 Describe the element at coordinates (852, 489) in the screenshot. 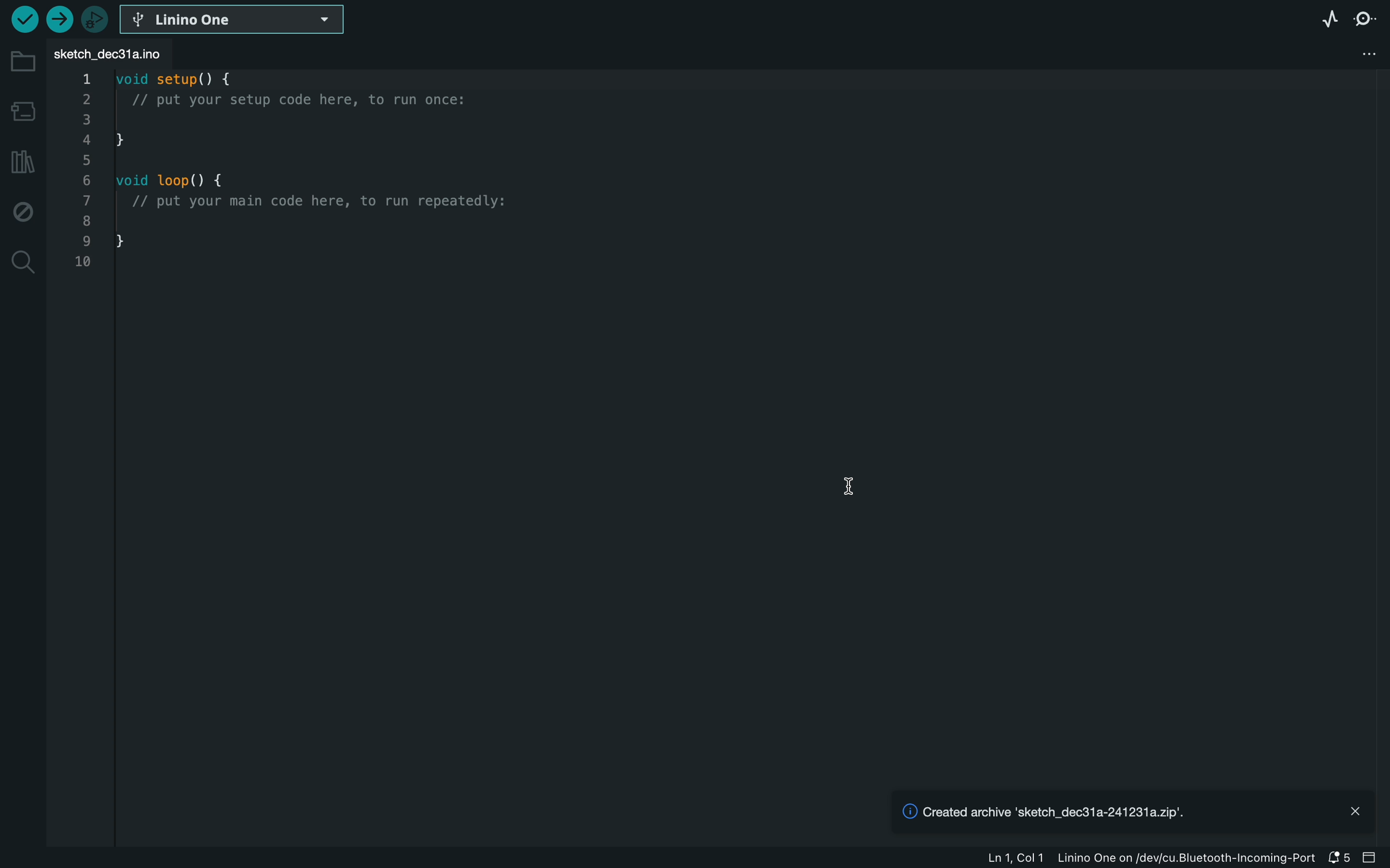

I see `cursor` at that location.